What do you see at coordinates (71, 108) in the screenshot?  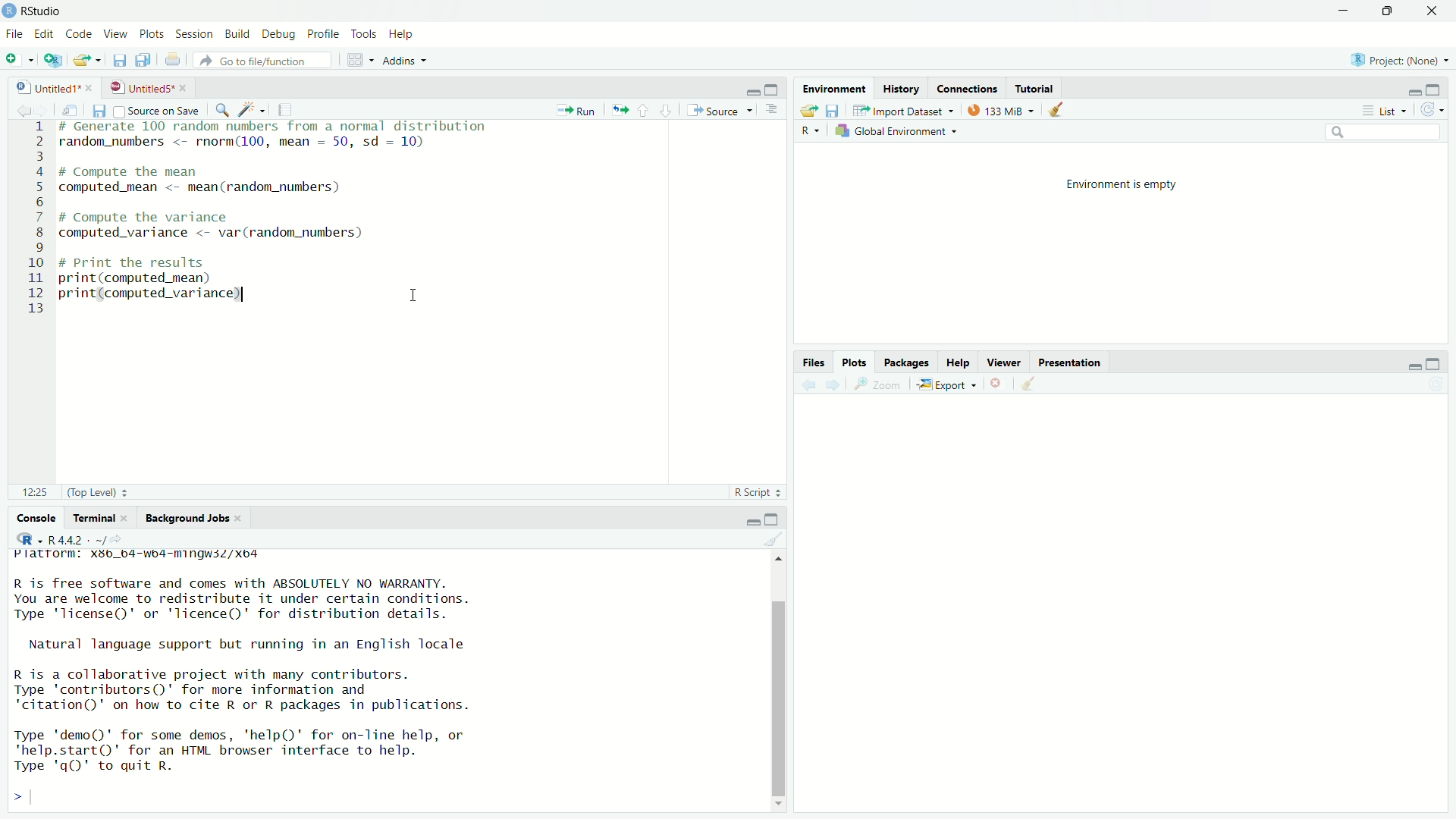 I see `show in new window` at bounding box center [71, 108].